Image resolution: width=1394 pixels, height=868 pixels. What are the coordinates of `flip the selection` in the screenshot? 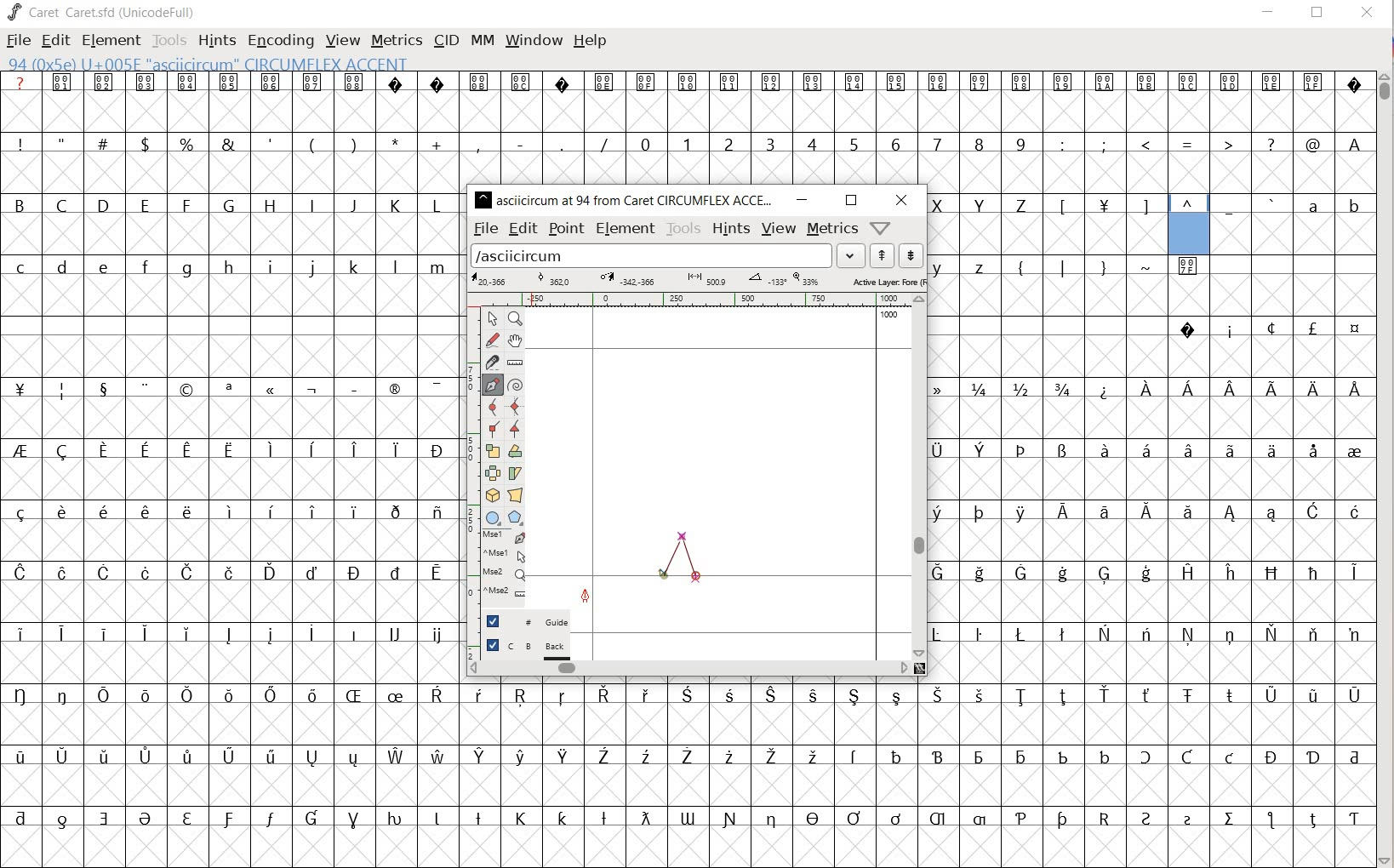 It's located at (492, 473).